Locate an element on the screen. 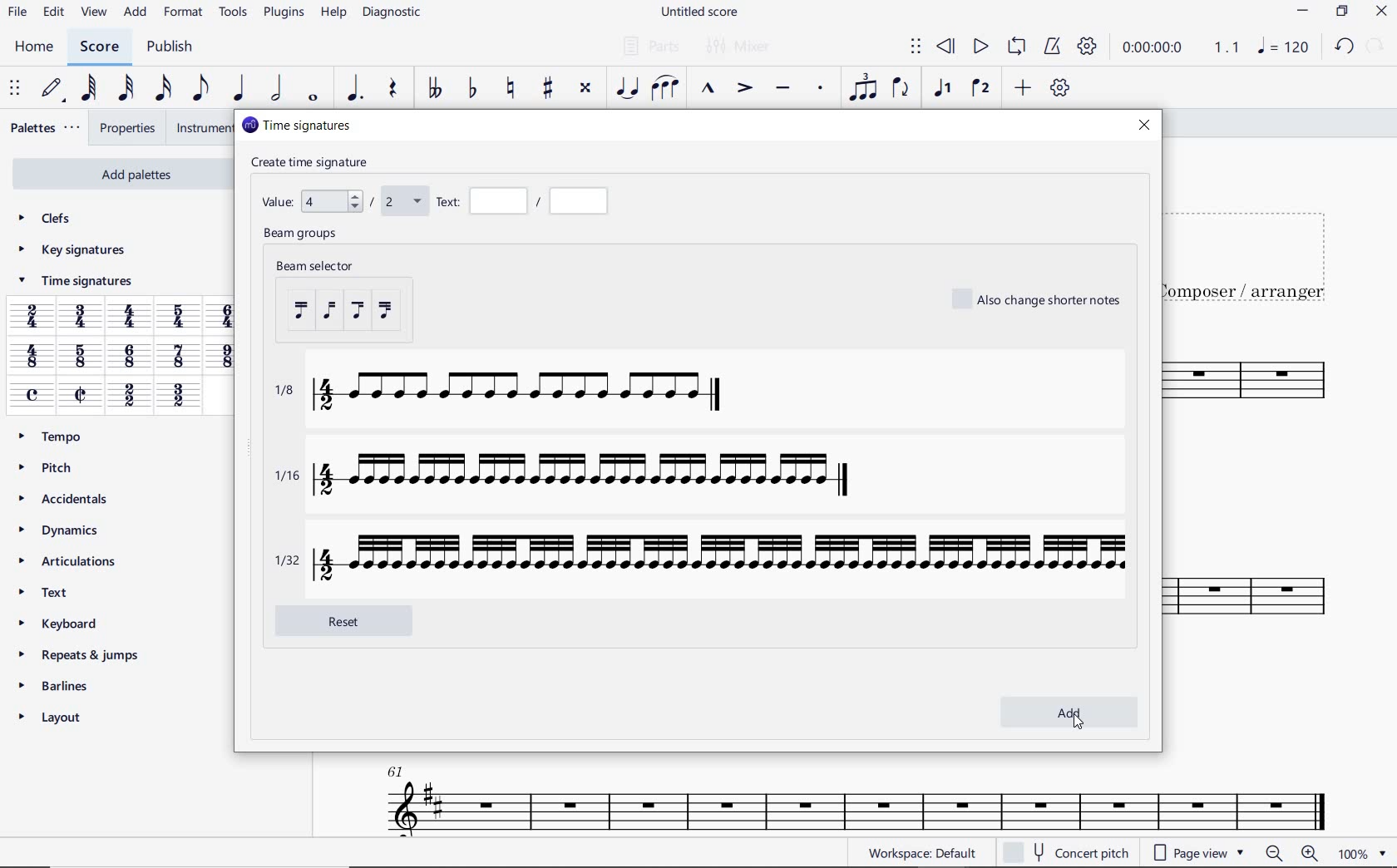  TUPLET is located at coordinates (861, 89).